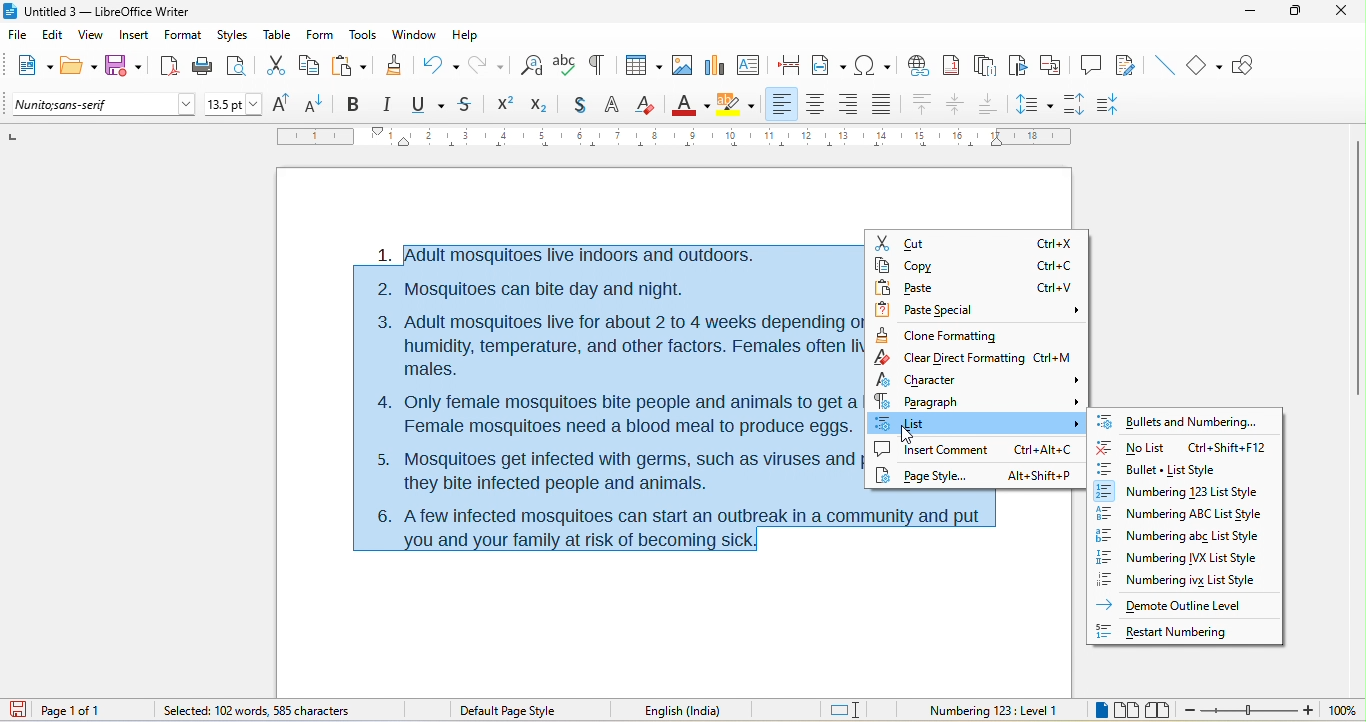 The width and height of the screenshot is (1366, 722). Describe the element at coordinates (921, 64) in the screenshot. I see `hyperlink` at that location.